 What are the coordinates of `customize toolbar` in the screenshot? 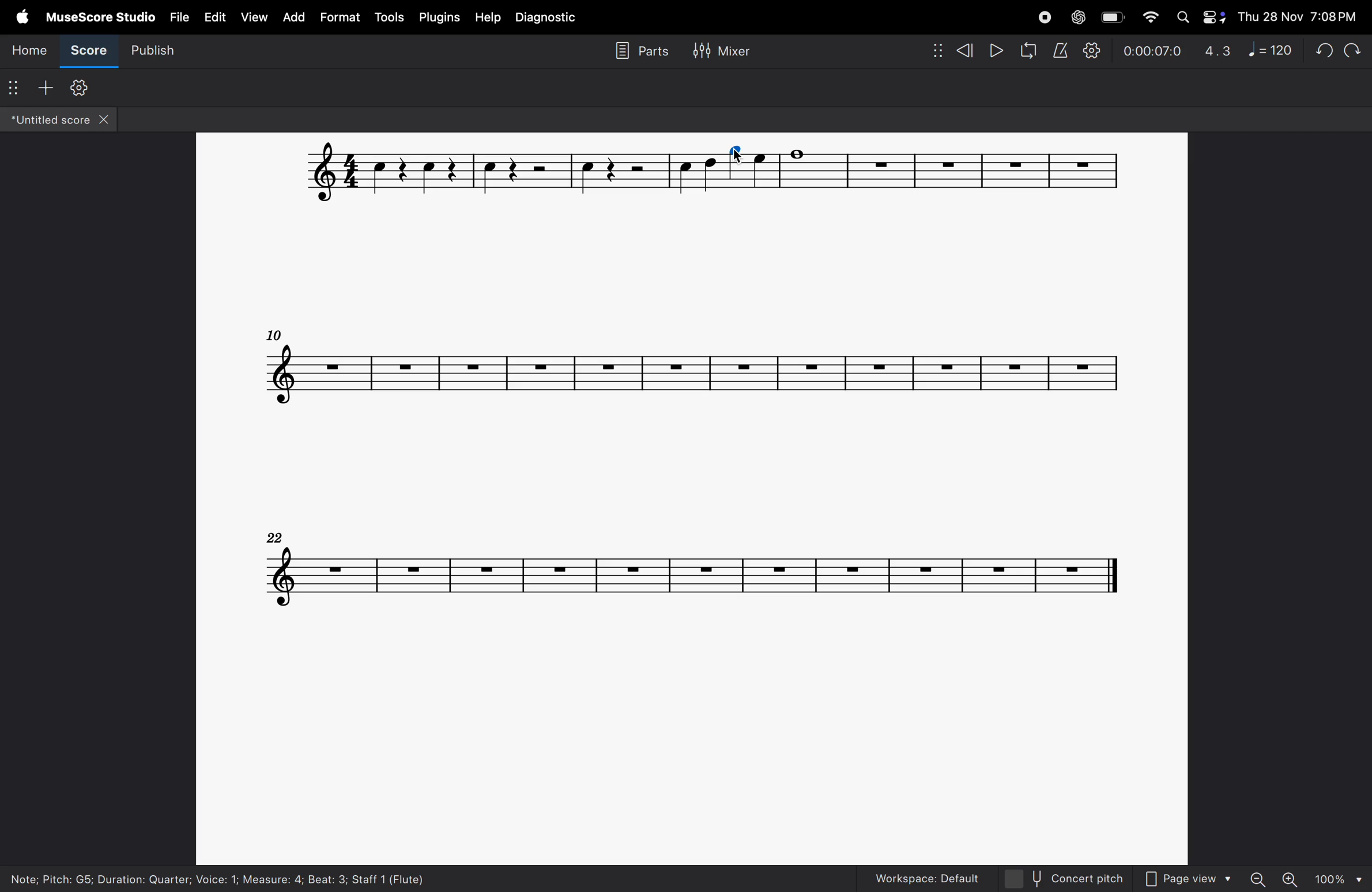 It's located at (79, 88).